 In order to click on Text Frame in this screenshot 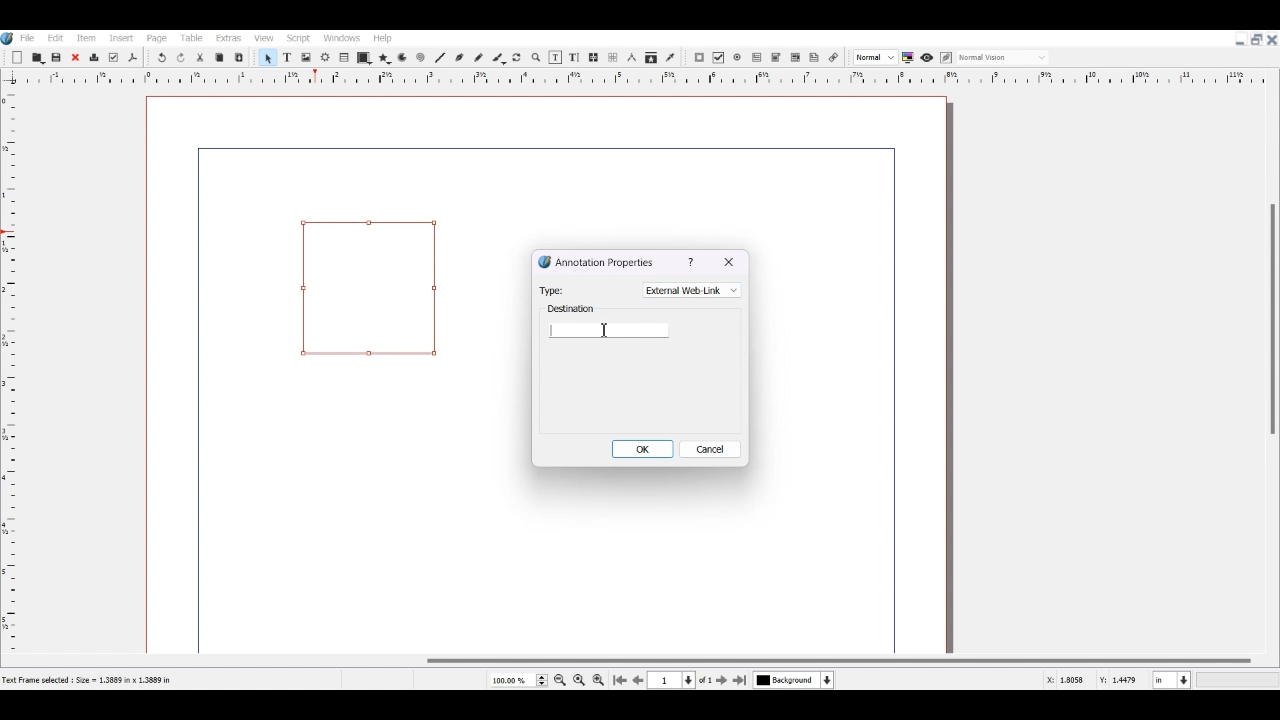, I will do `click(287, 57)`.